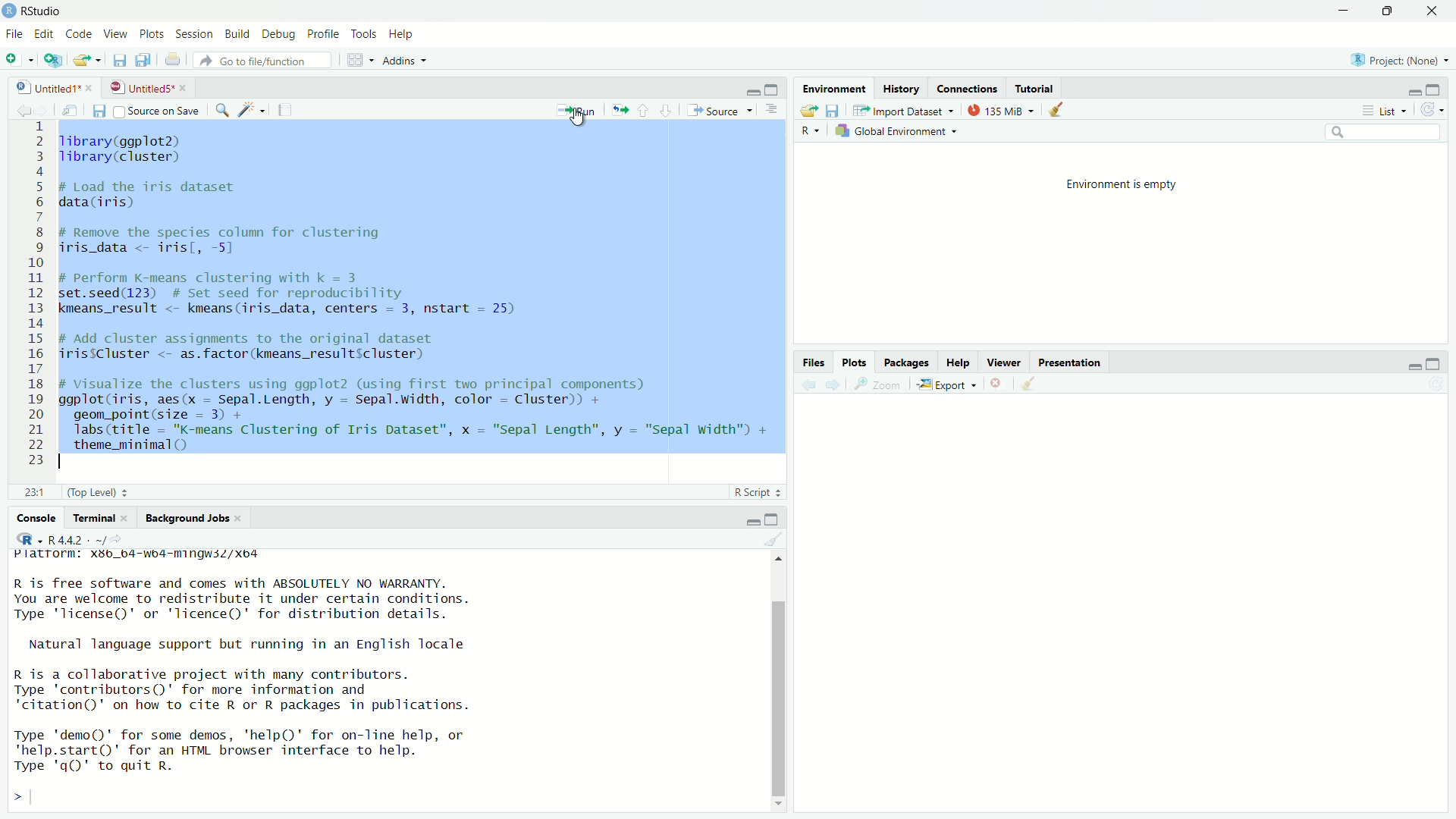  Describe the element at coordinates (366, 33) in the screenshot. I see `tools` at that location.